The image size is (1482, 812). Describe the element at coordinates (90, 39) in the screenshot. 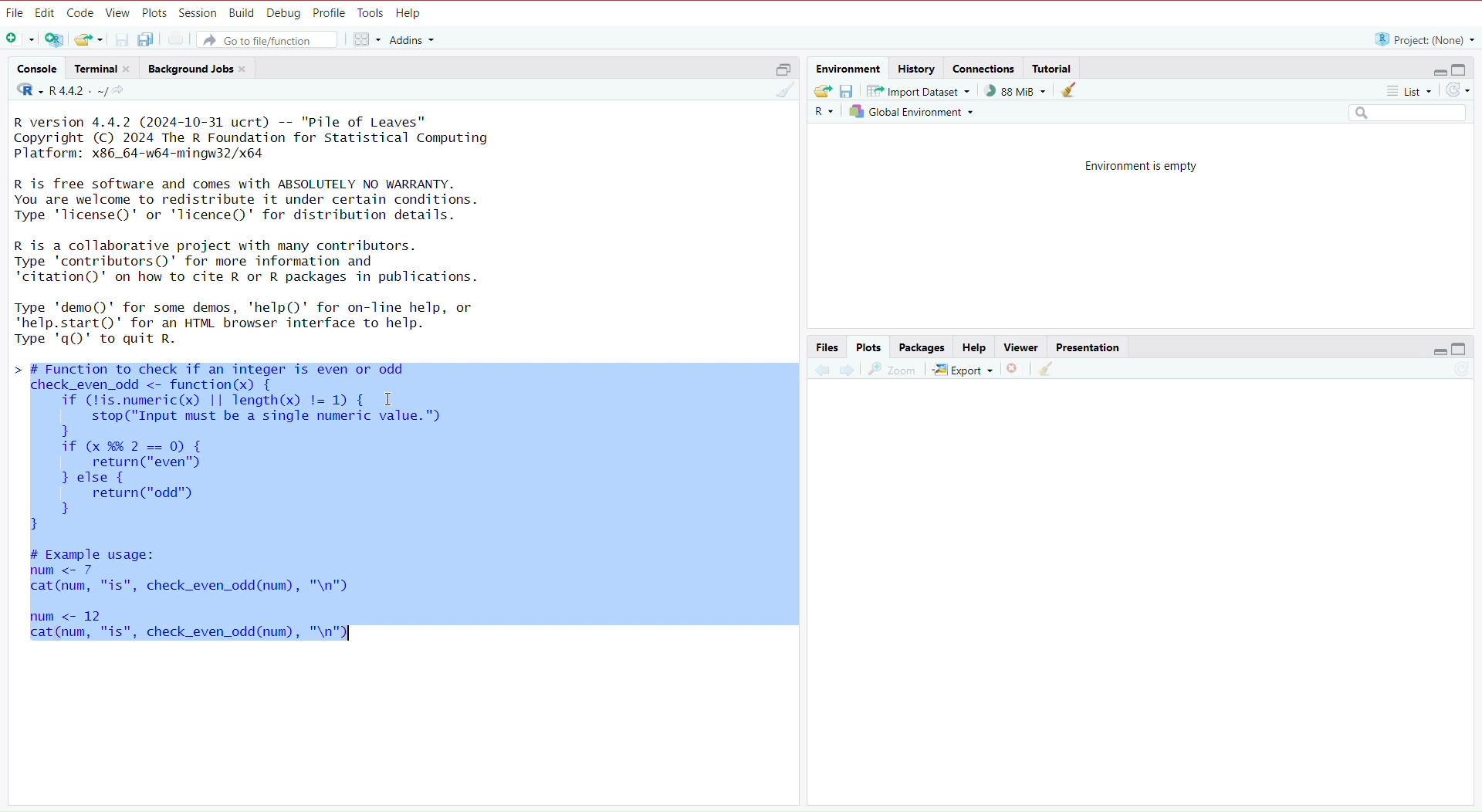

I see `open an existing file` at that location.